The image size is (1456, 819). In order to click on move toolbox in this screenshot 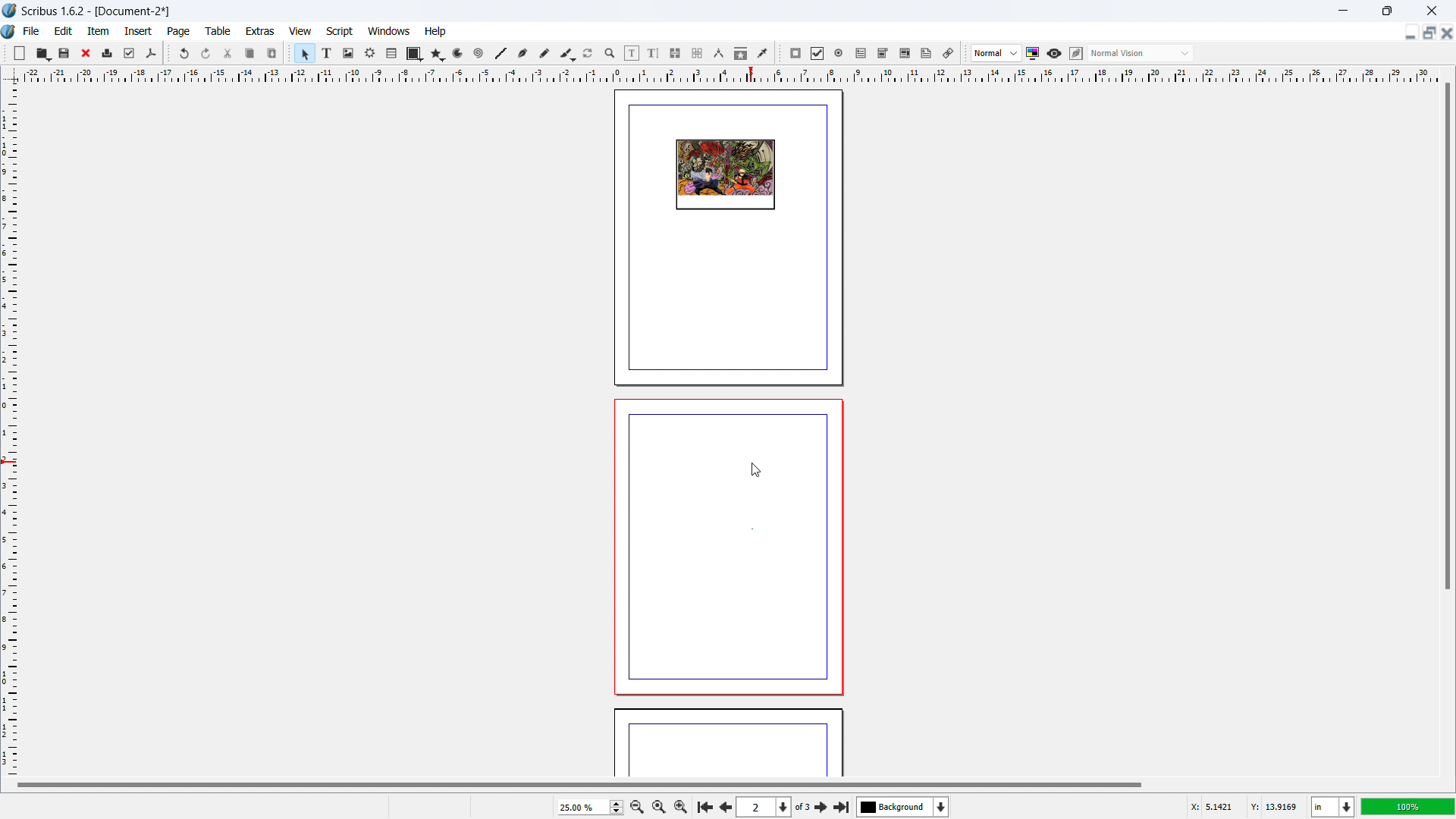, I will do `click(168, 52)`.